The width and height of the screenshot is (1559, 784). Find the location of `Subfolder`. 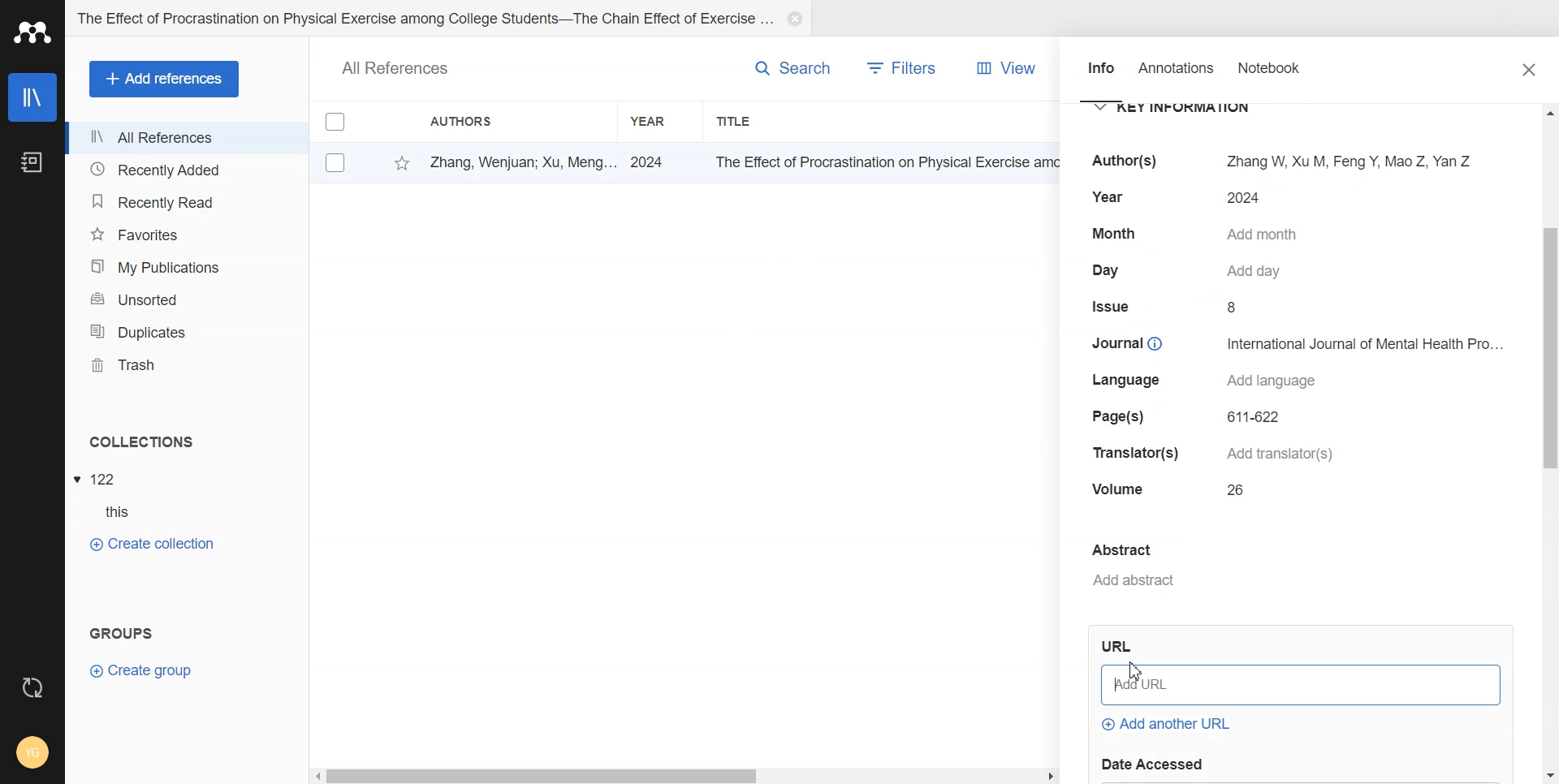

Subfolder is located at coordinates (110, 513).